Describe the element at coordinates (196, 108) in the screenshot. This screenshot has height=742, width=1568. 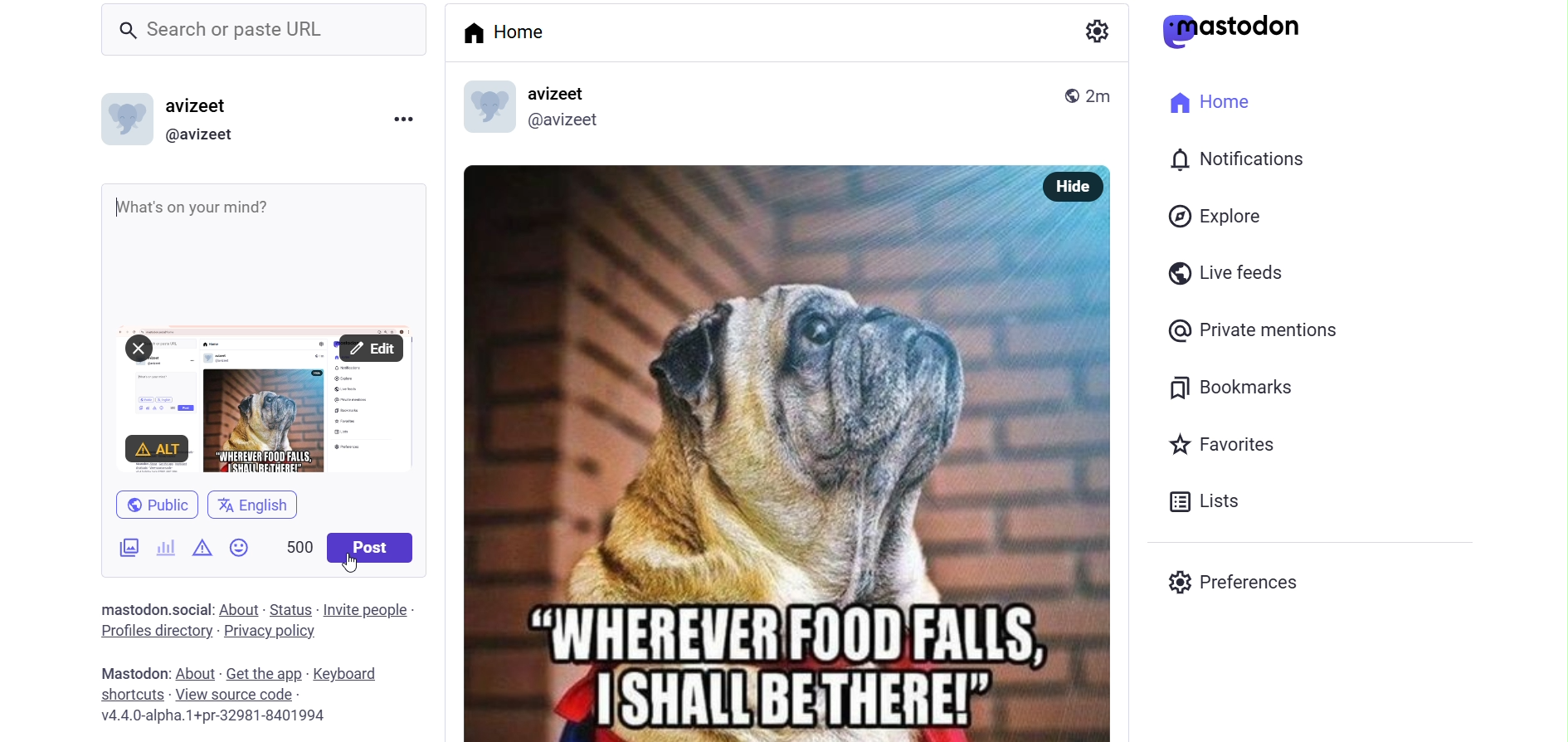
I see `avizeet` at that location.